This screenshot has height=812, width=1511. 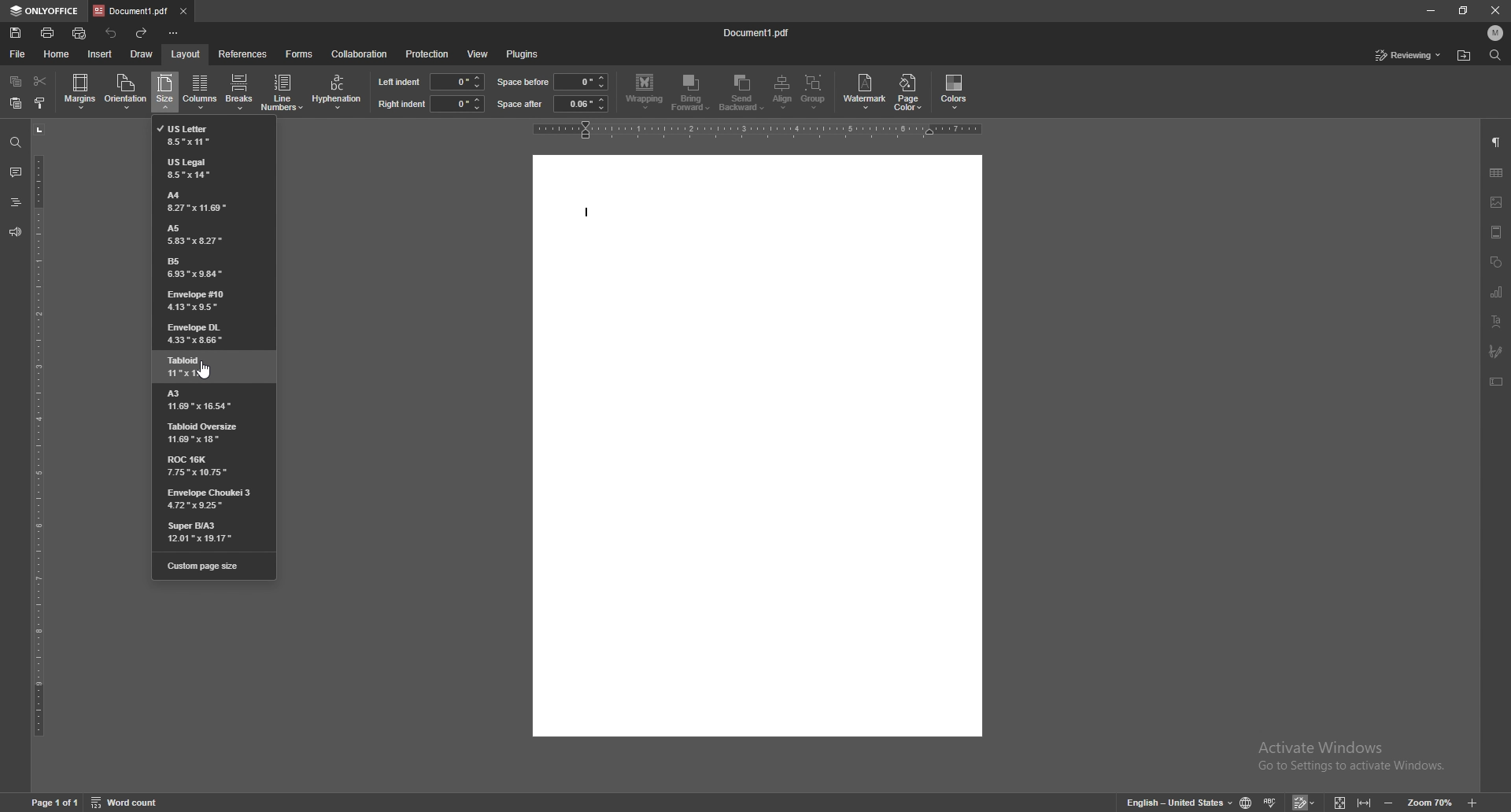 What do you see at coordinates (204, 94) in the screenshot?
I see `cursor description` at bounding box center [204, 94].